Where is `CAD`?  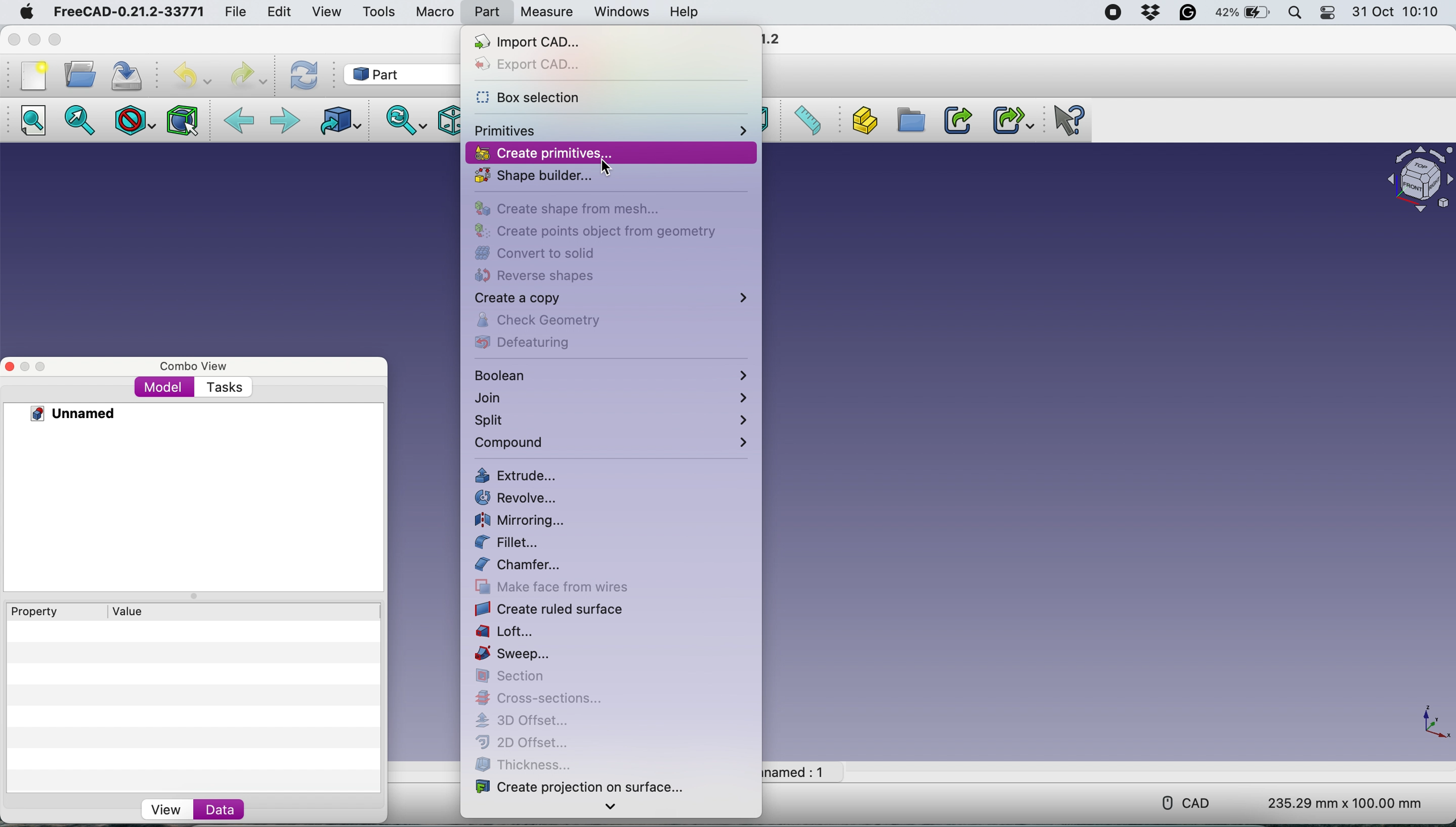 CAD is located at coordinates (1192, 804).